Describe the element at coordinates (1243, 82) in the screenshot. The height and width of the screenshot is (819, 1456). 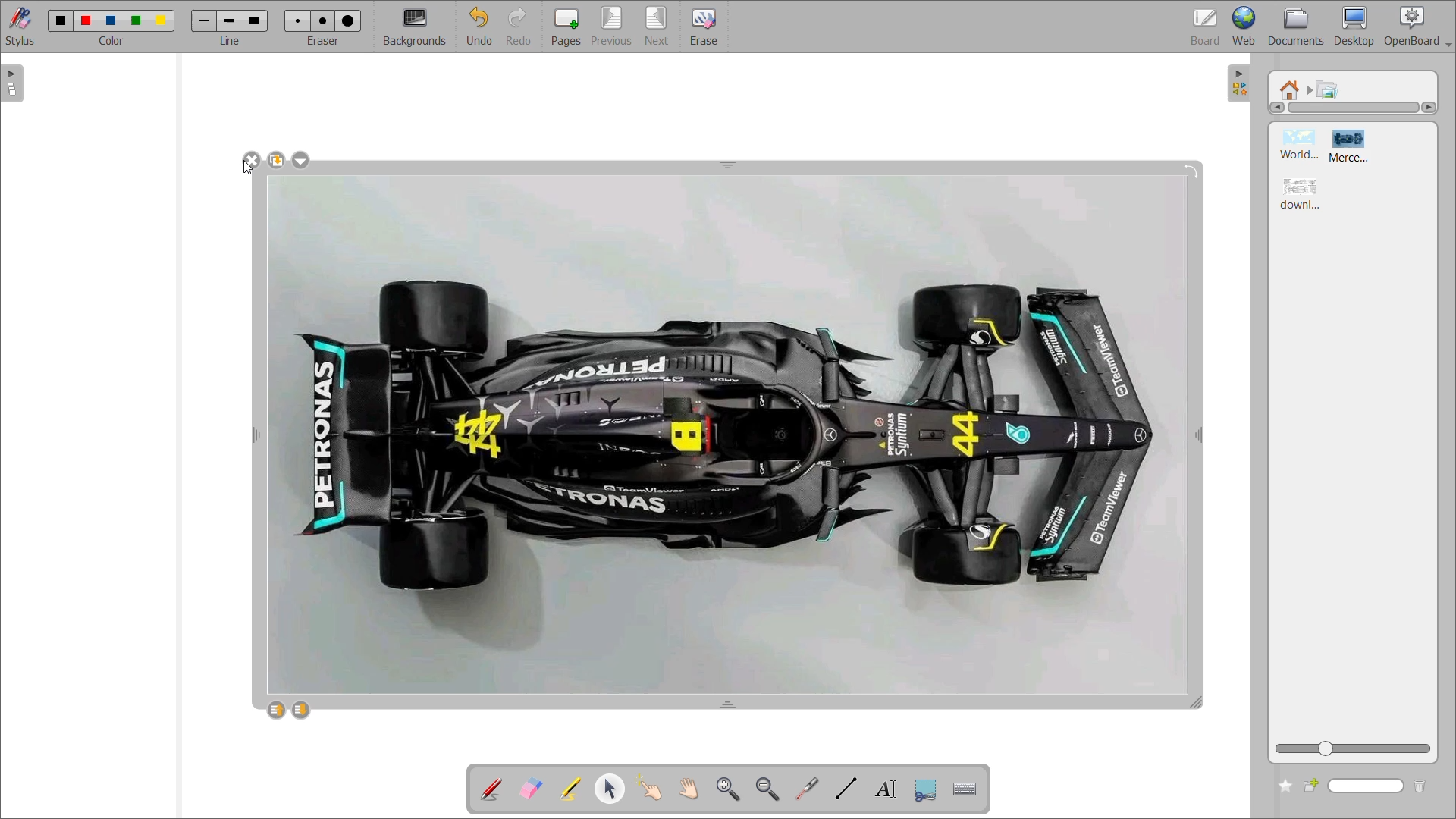
I see `collapse` at that location.